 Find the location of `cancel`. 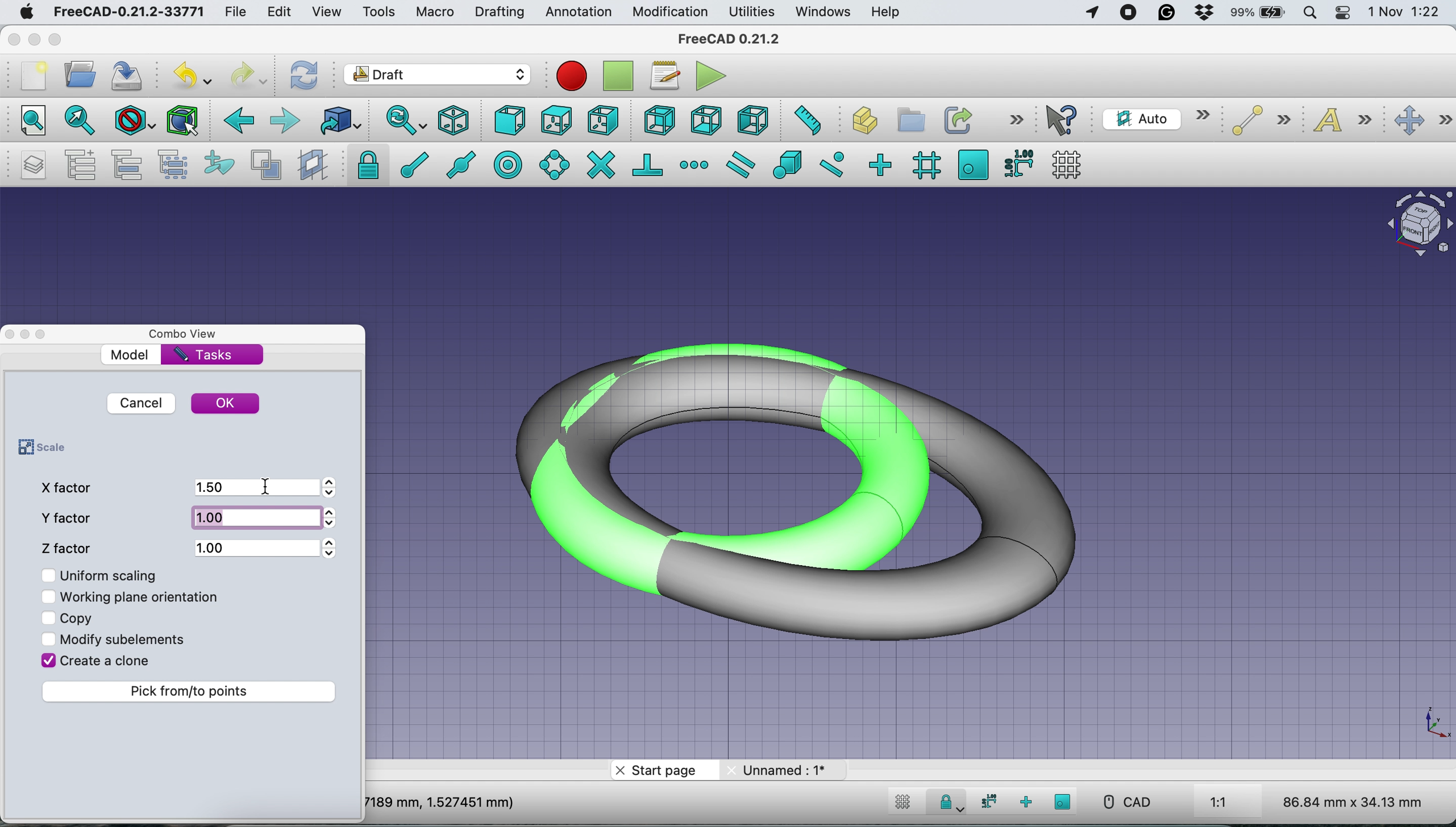

cancel is located at coordinates (140, 403).